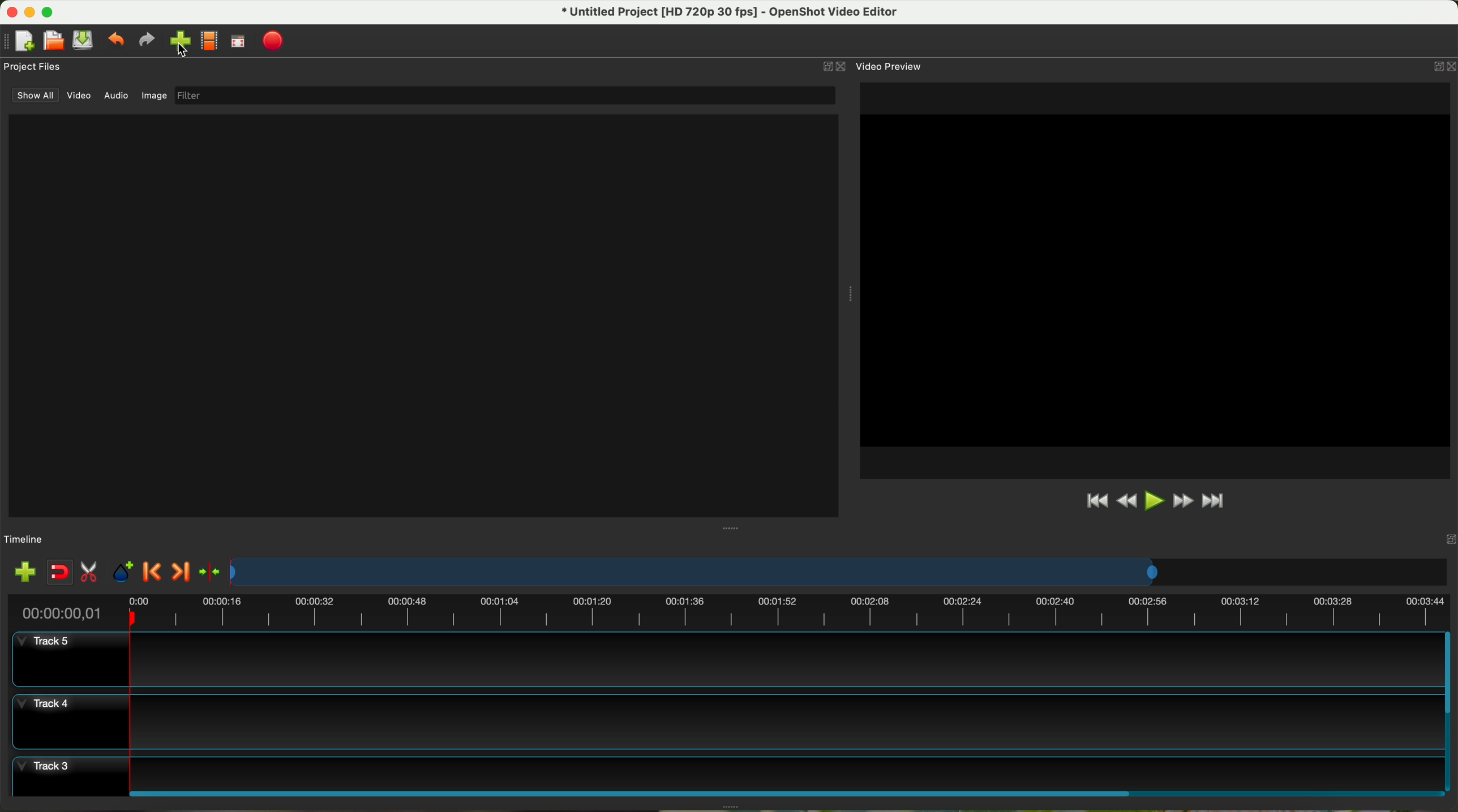  Describe the element at coordinates (238, 41) in the screenshot. I see `full screen` at that location.